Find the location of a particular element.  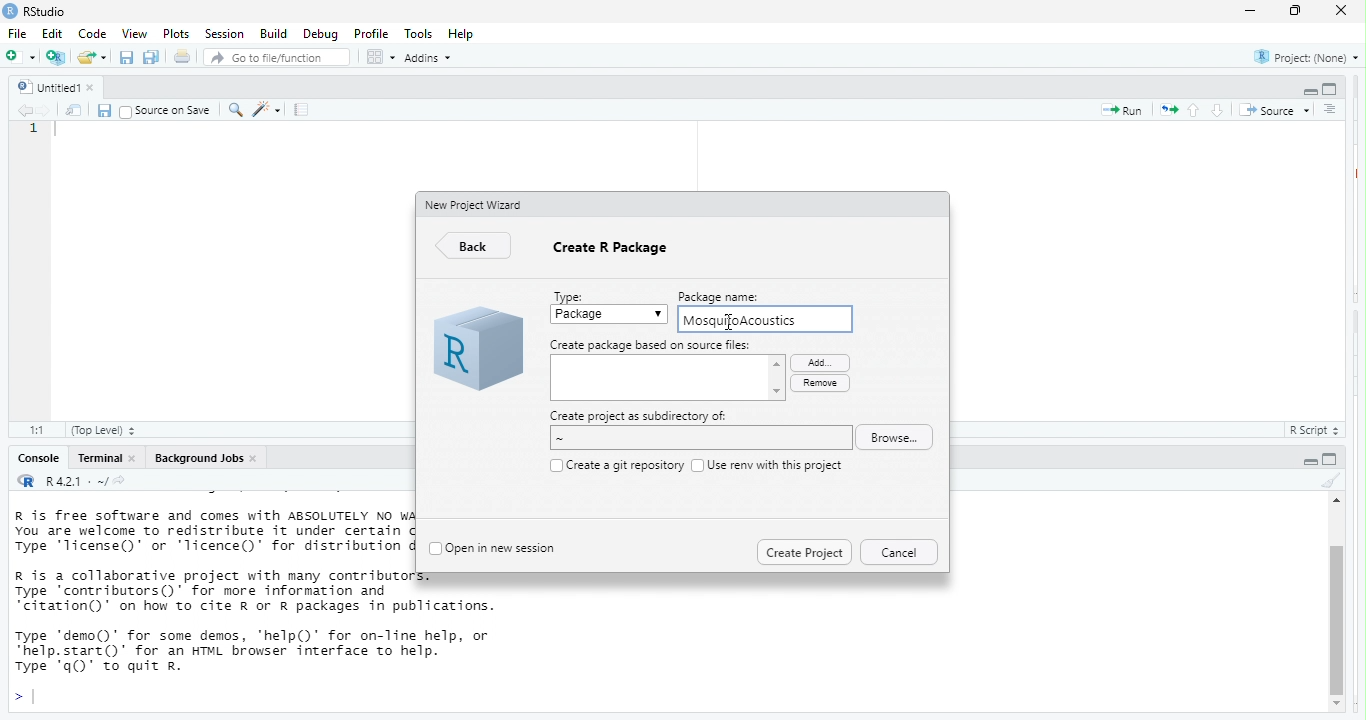

(Top Level)  is located at coordinates (104, 431).